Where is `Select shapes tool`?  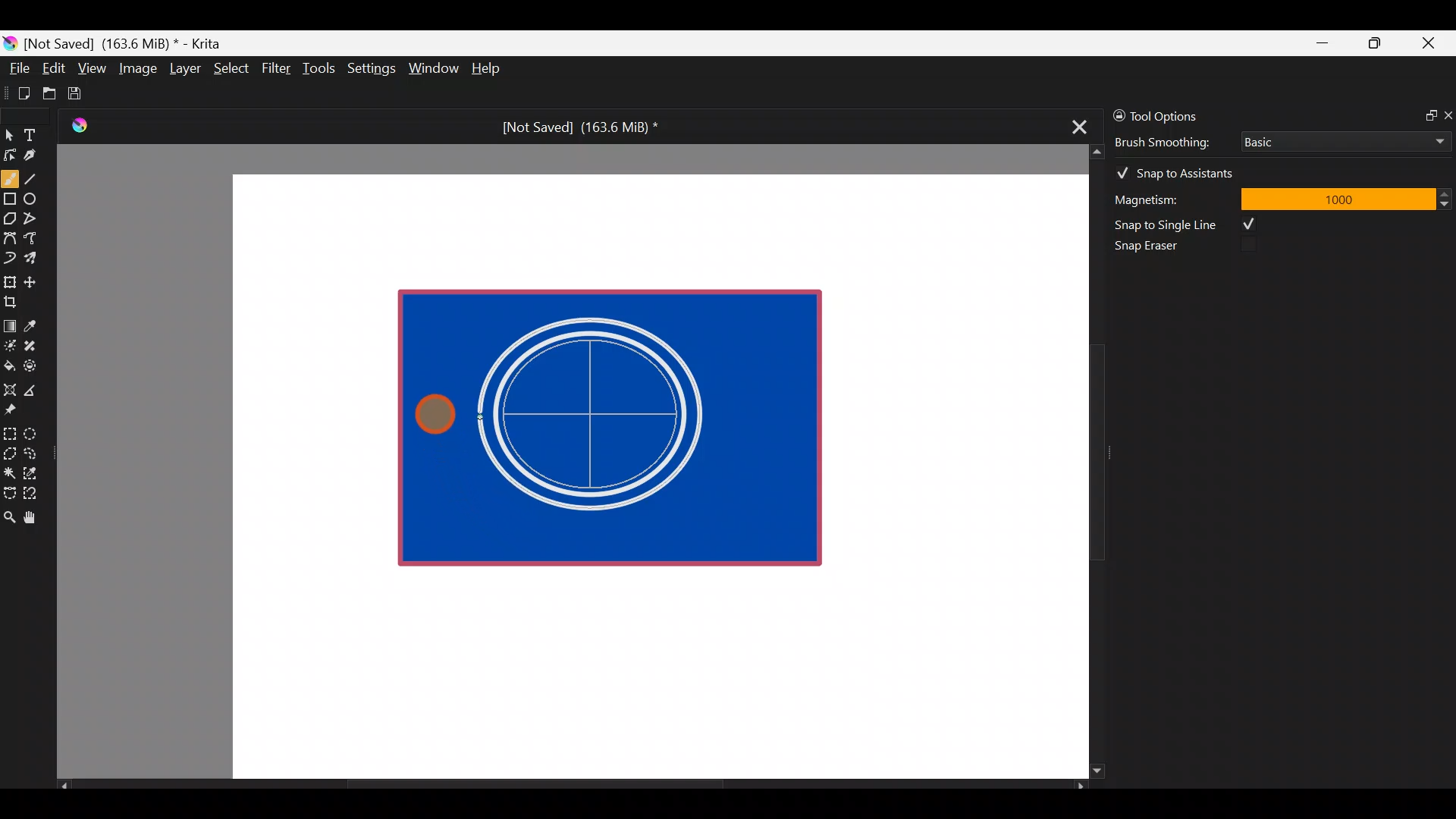 Select shapes tool is located at coordinates (9, 136).